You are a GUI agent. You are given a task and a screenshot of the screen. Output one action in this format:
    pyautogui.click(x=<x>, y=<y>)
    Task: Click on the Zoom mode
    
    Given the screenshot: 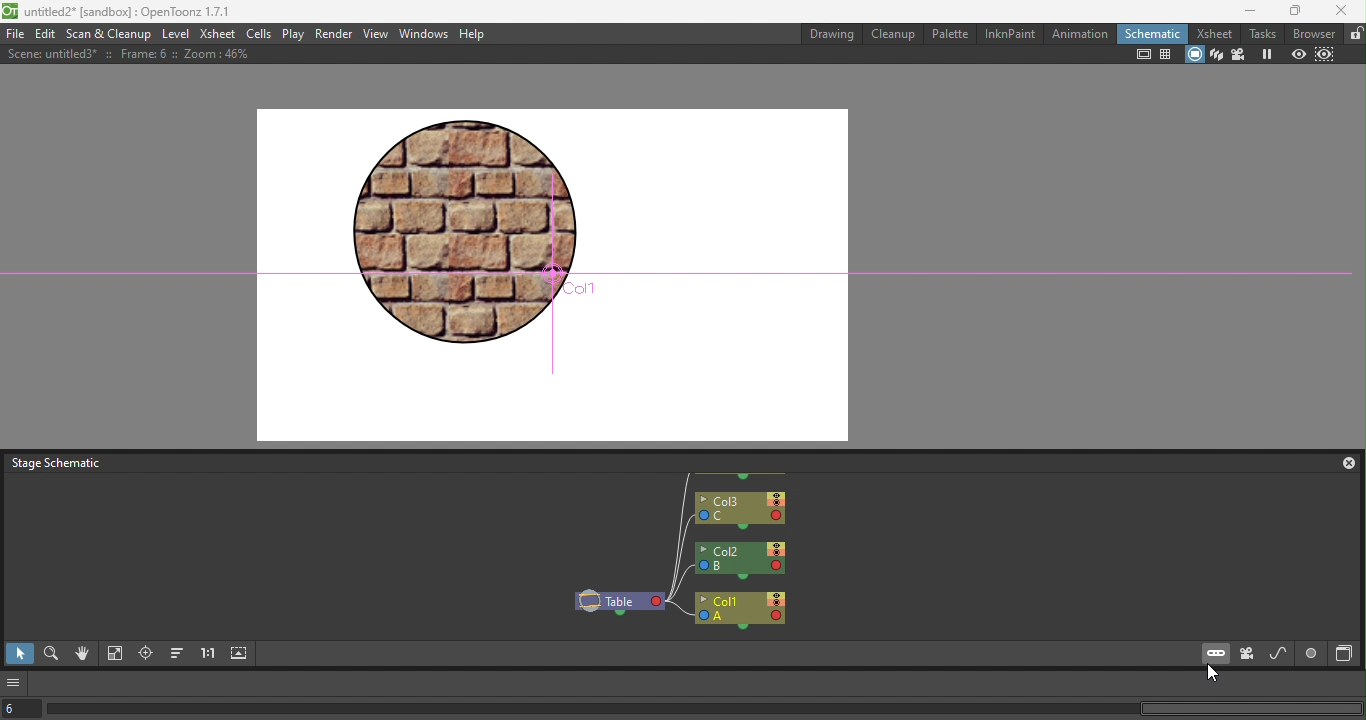 What is the action you would take?
    pyautogui.click(x=51, y=656)
    